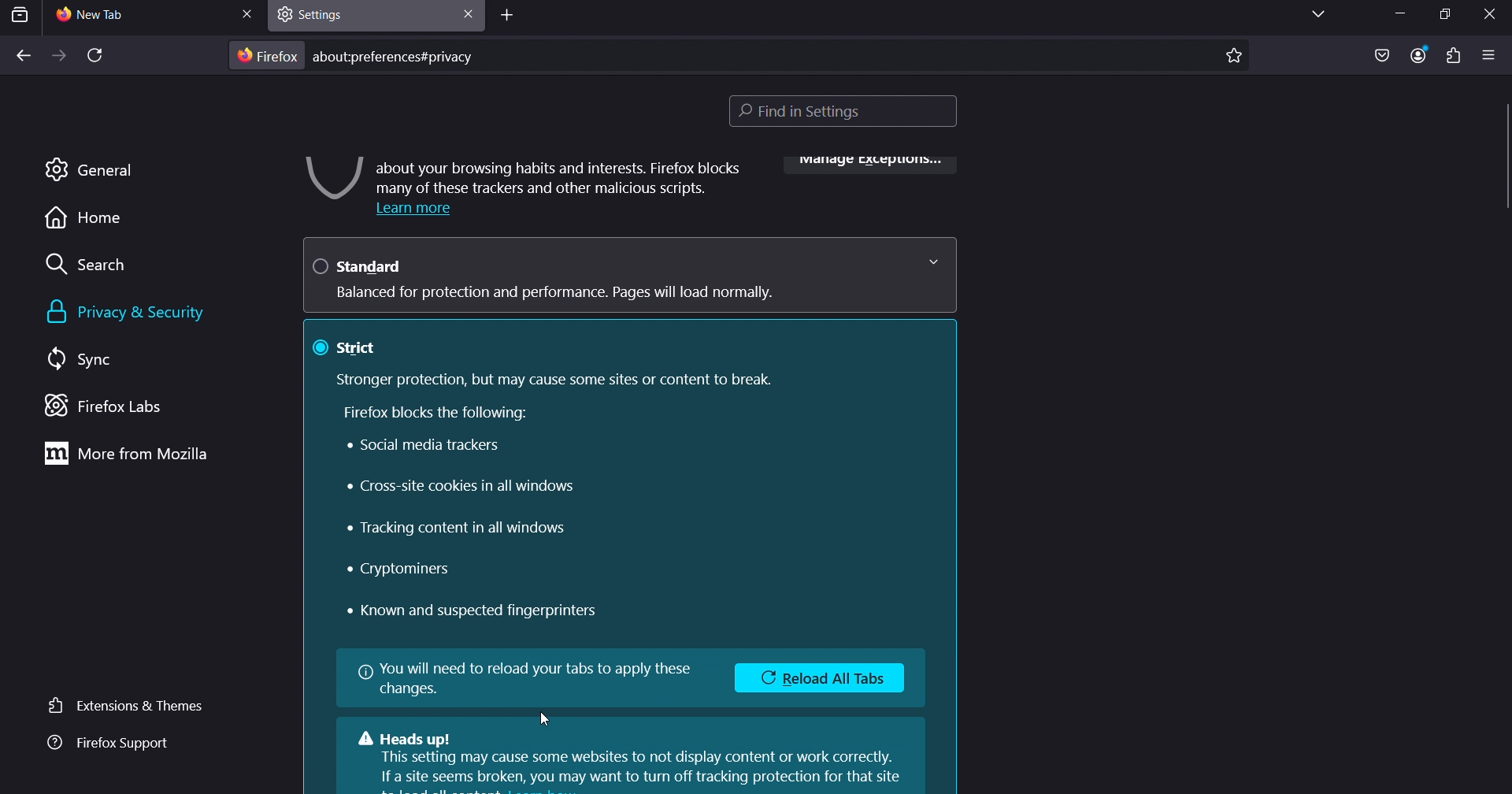 This screenshot has height=794, width=1512. Describe the element at coordinates (553, 720) in the screenshot. I see `cursor` at that location.